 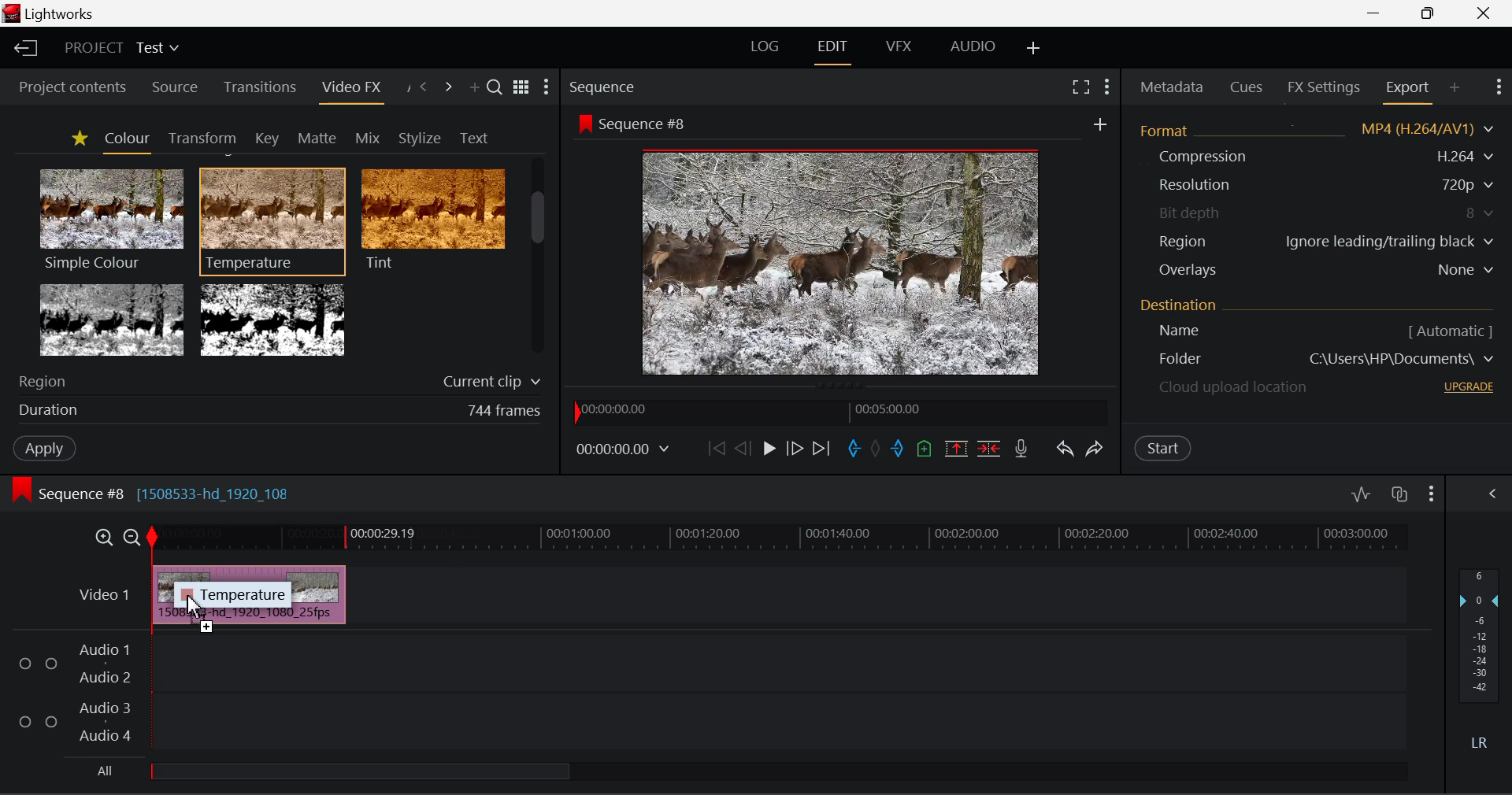 I want to click on MP4 (H.264/AV1) , so click(x=1419, y=129).